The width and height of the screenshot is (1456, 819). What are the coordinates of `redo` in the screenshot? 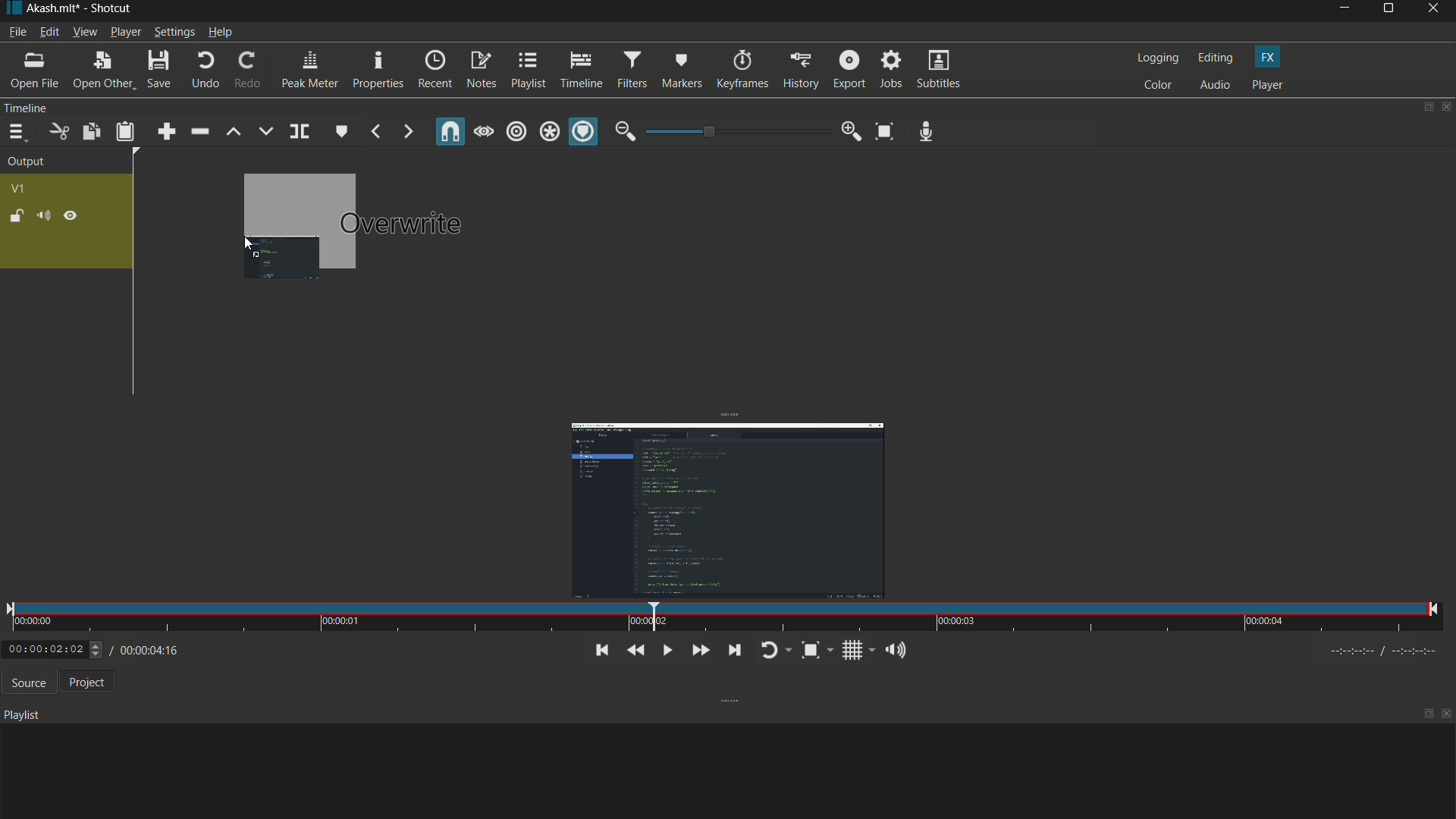 It's located at (244, 70).